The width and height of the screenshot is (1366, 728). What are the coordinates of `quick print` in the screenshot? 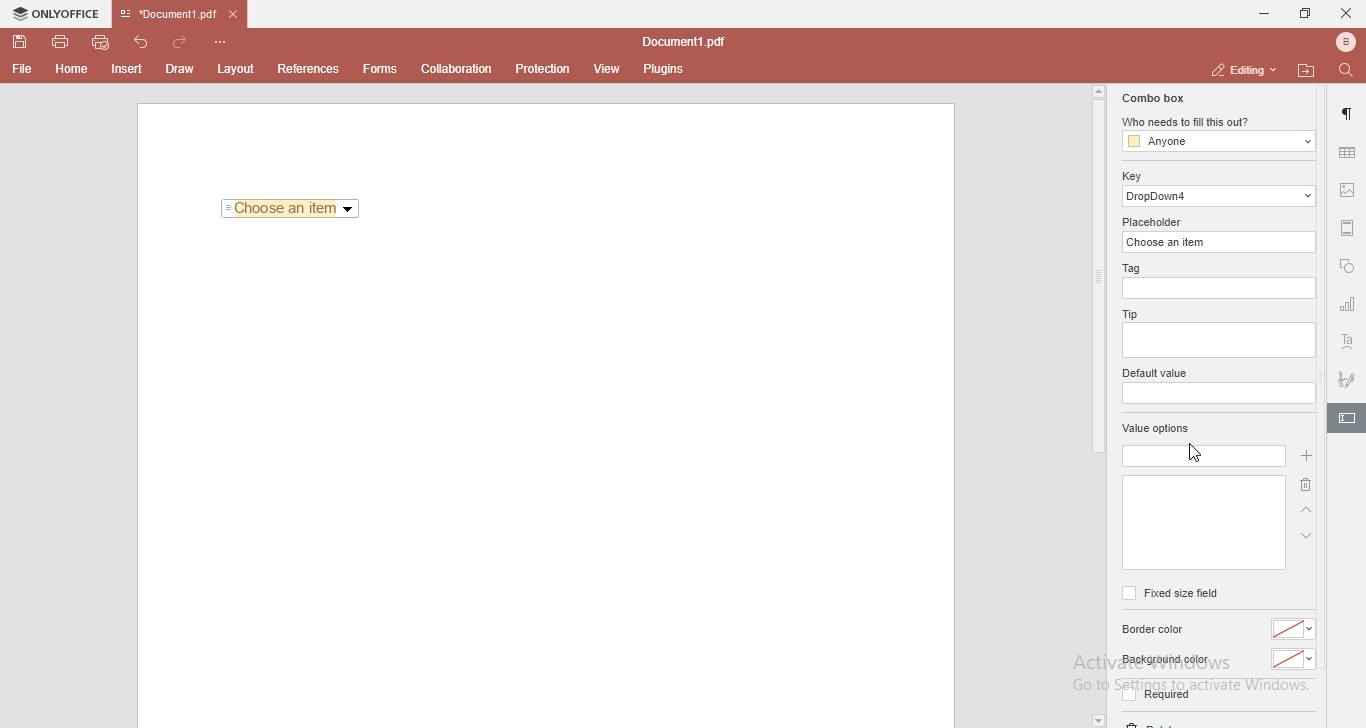 It's located at (102, 41).